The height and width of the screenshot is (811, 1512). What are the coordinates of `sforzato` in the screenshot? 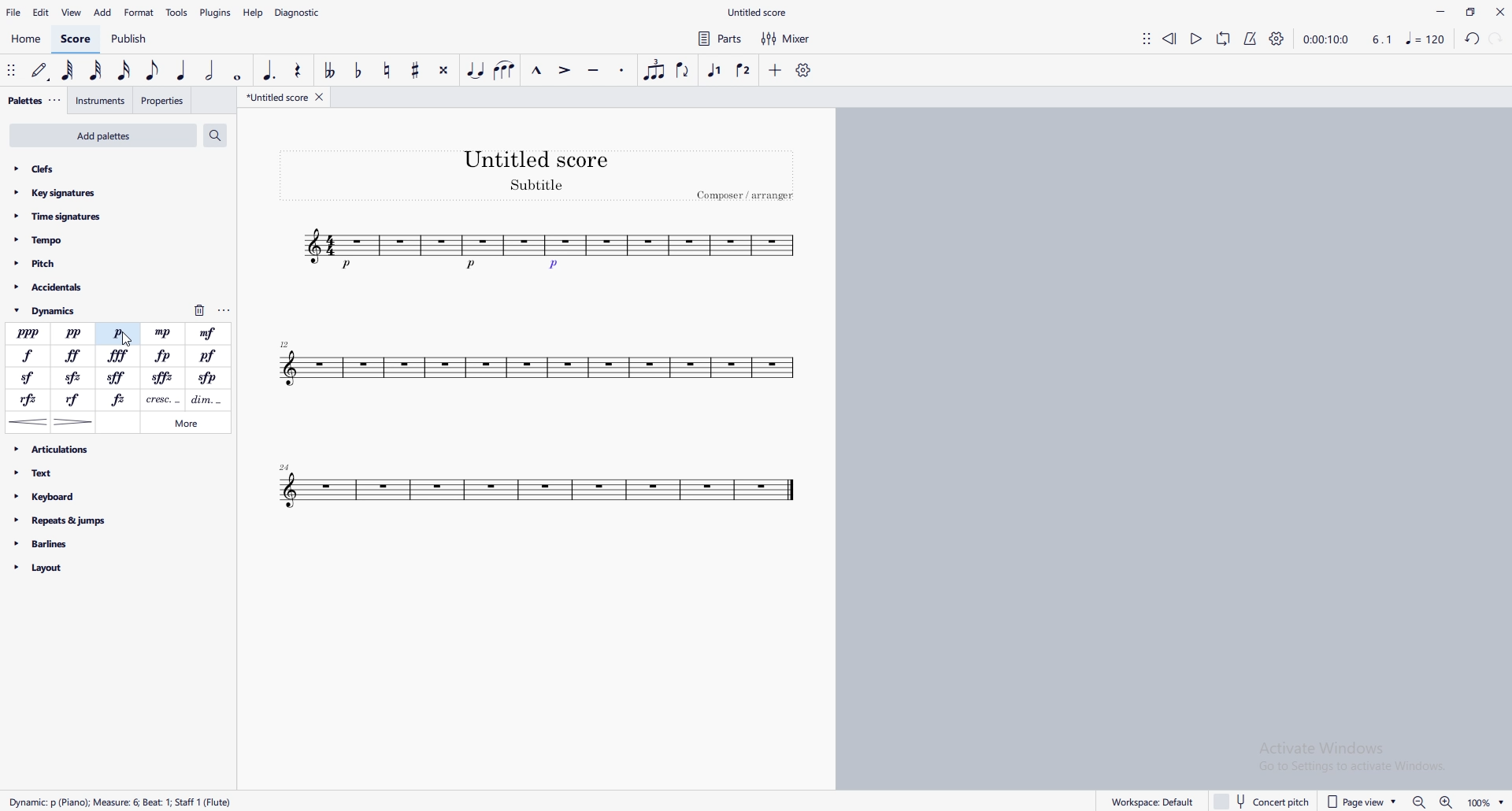 It's located at (163, 376).